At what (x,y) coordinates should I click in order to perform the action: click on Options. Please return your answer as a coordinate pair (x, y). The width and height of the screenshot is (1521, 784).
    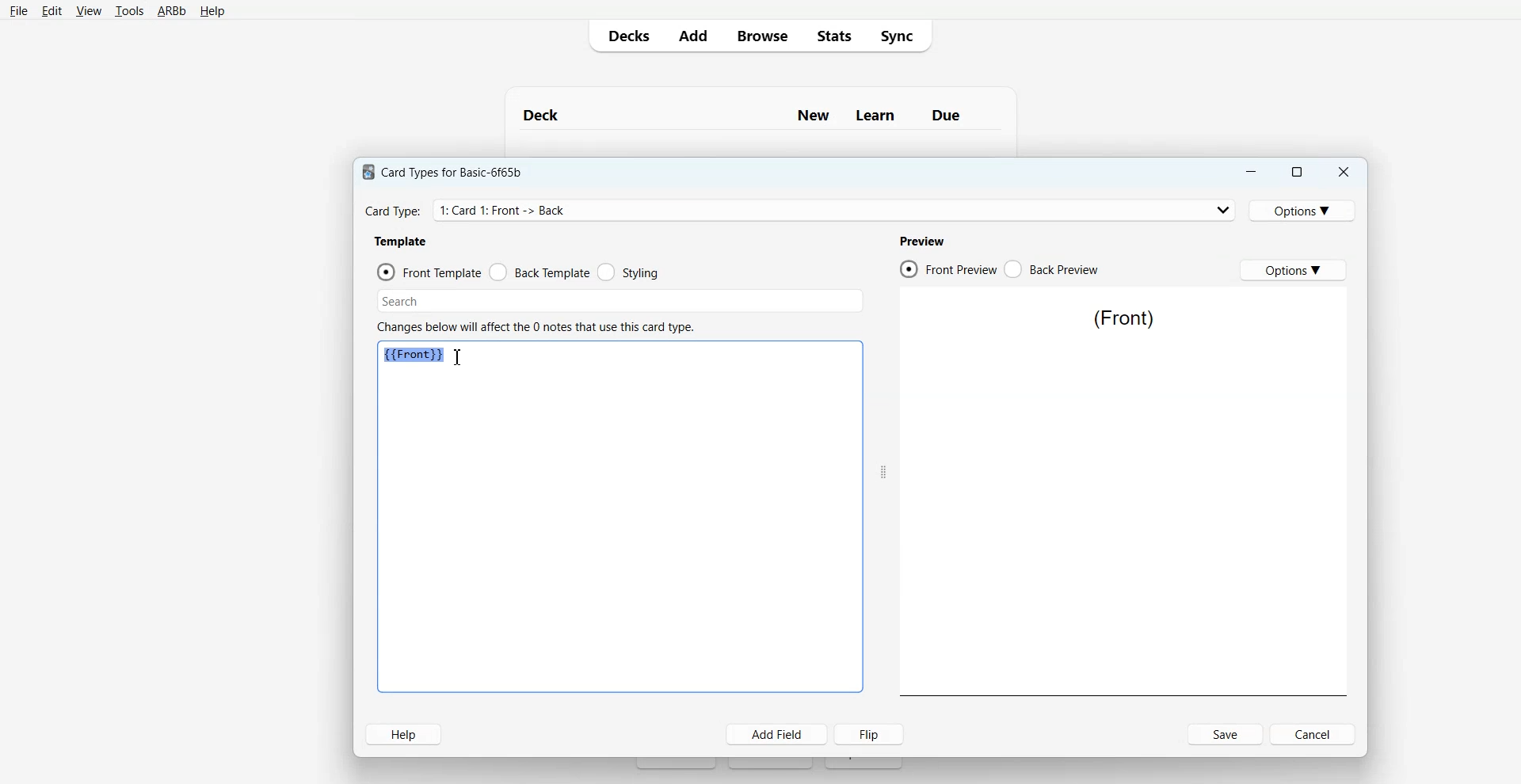
    Looking at the image, I should click on (1294, 270).